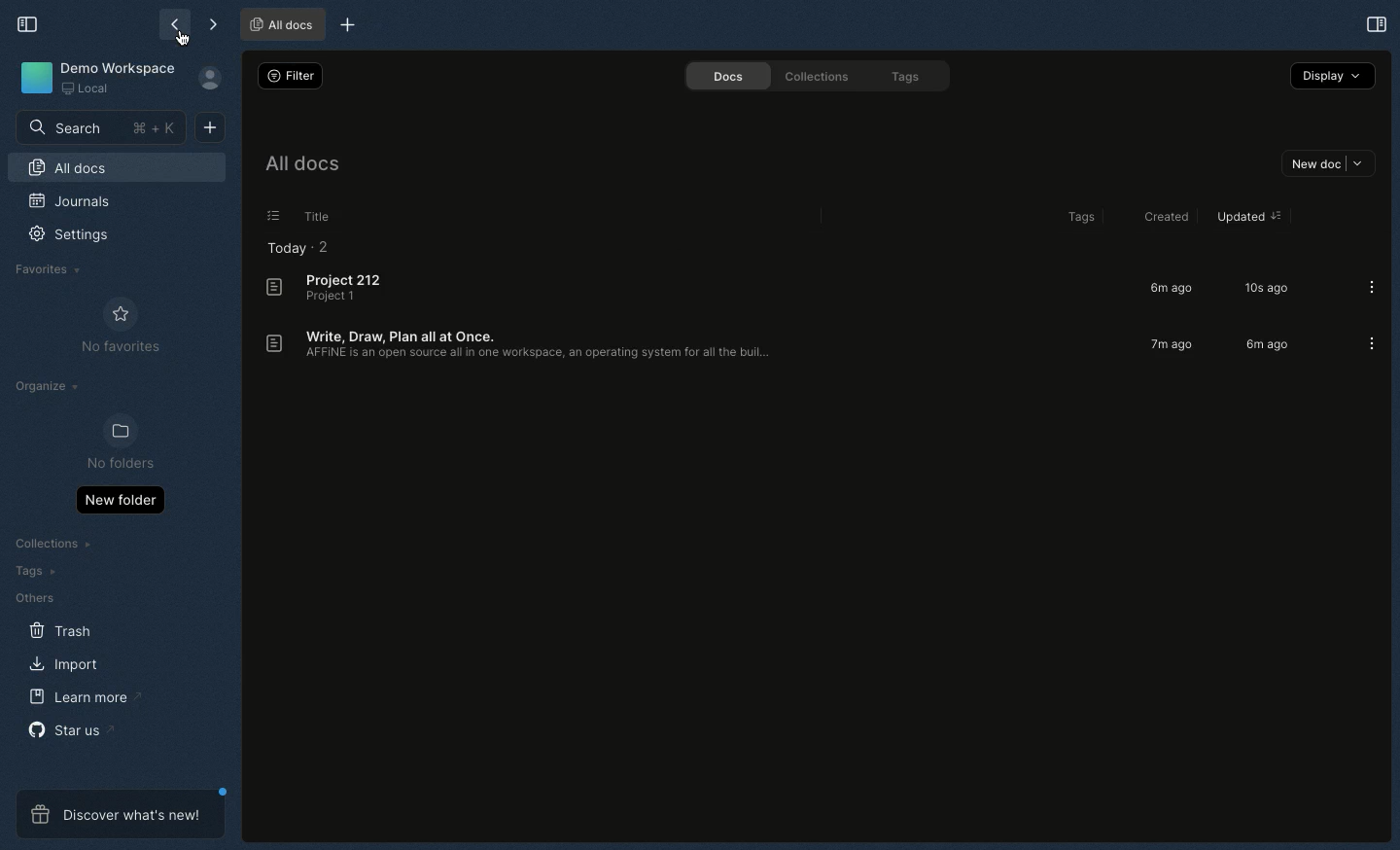 The width and height of the screenshot is (1400, 850). What do you see at coordinates (34, 571) in the screenshot?
I see `Tags` at bounding box center [34, 571].